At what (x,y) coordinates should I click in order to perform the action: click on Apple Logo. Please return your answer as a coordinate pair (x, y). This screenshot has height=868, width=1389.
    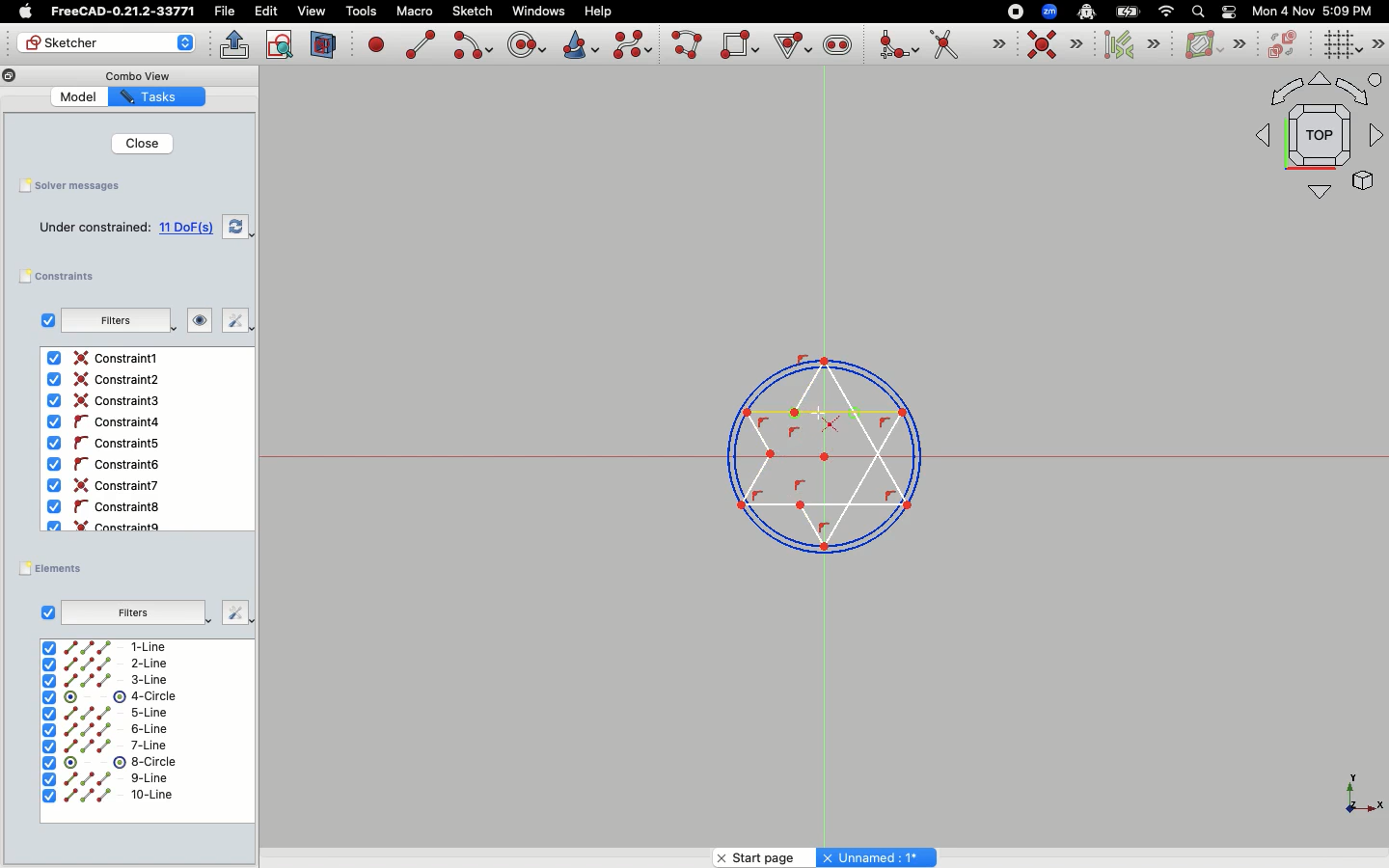
    Looking at the image, I should click on (23, 12).